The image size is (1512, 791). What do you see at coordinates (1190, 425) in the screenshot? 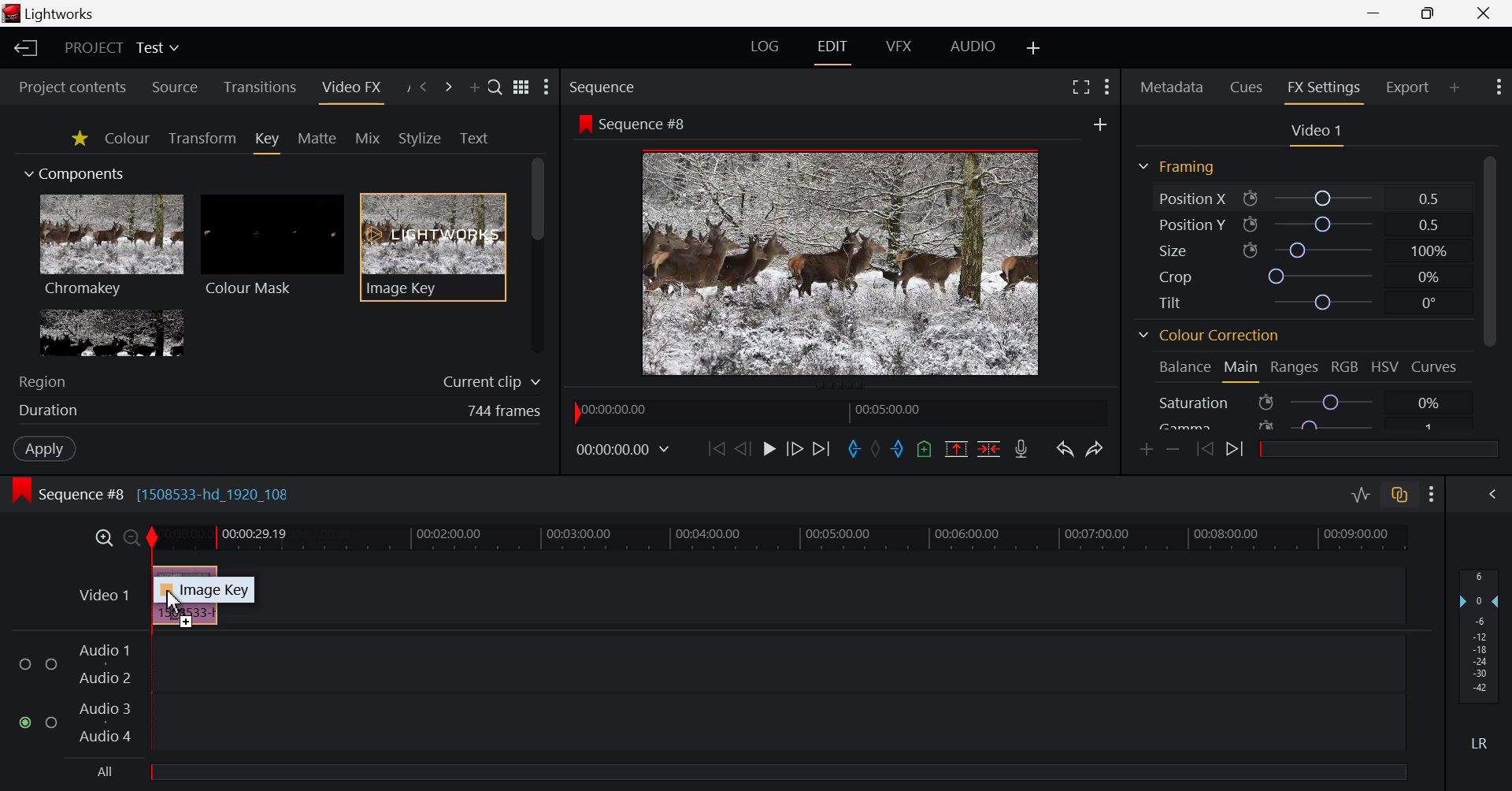
I see `Gamma` at bounding box center [1190, 425].